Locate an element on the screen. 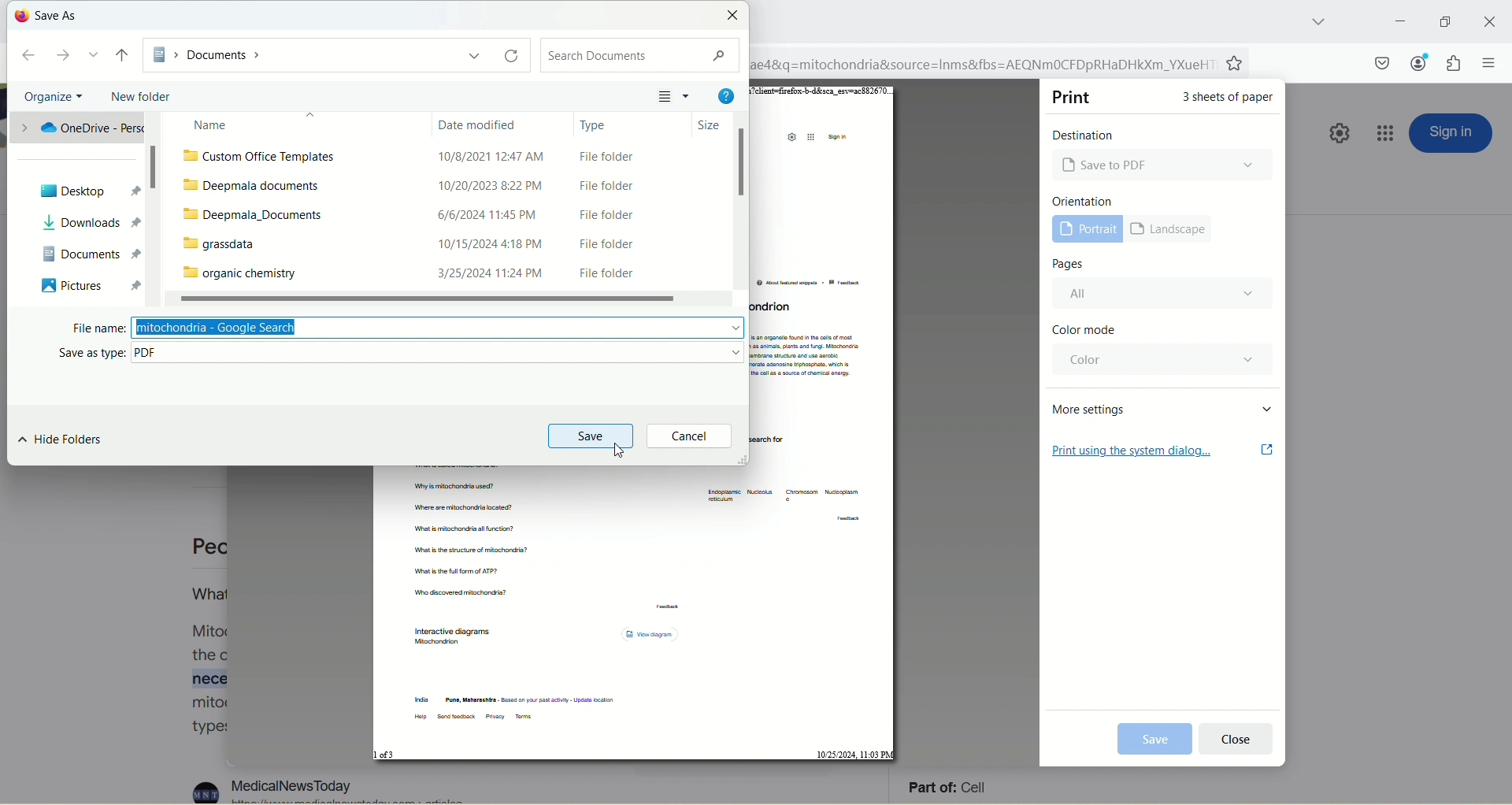  new folder is located at coordinates (139, 95).